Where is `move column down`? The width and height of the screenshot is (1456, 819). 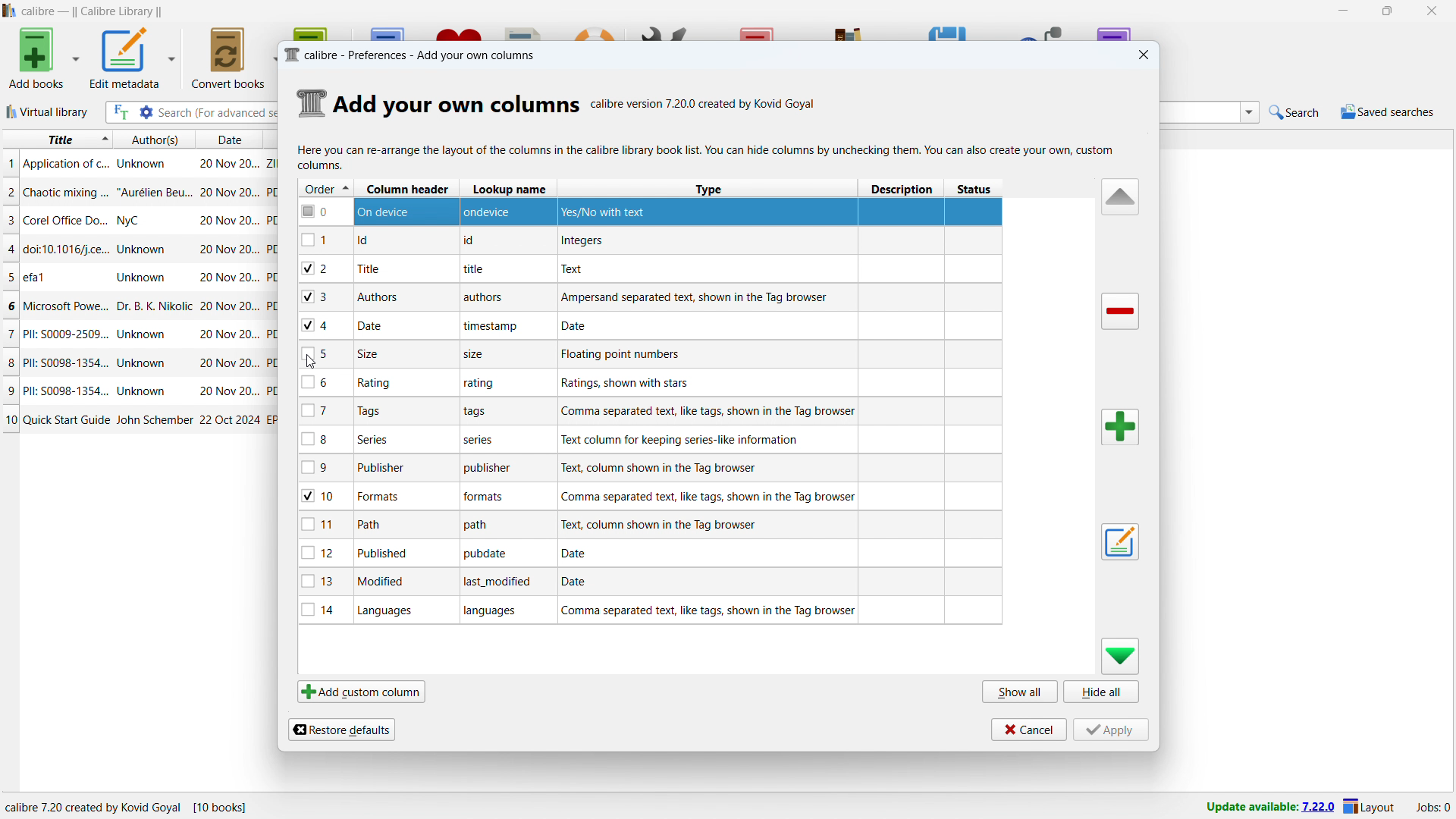
move column down is located at coordinates (1120, 657).